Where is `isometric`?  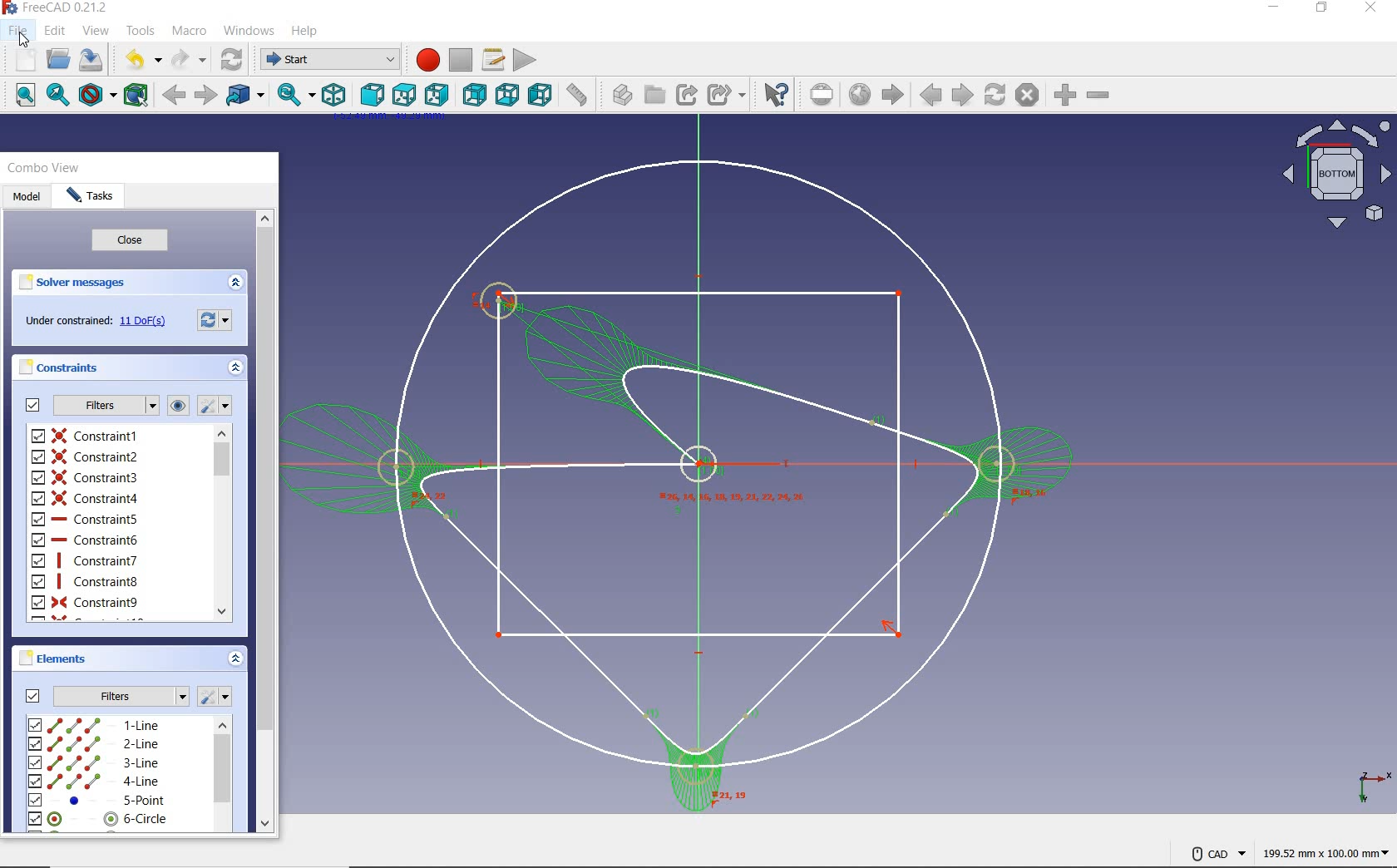
isometric is located at coordinates (335, 96).